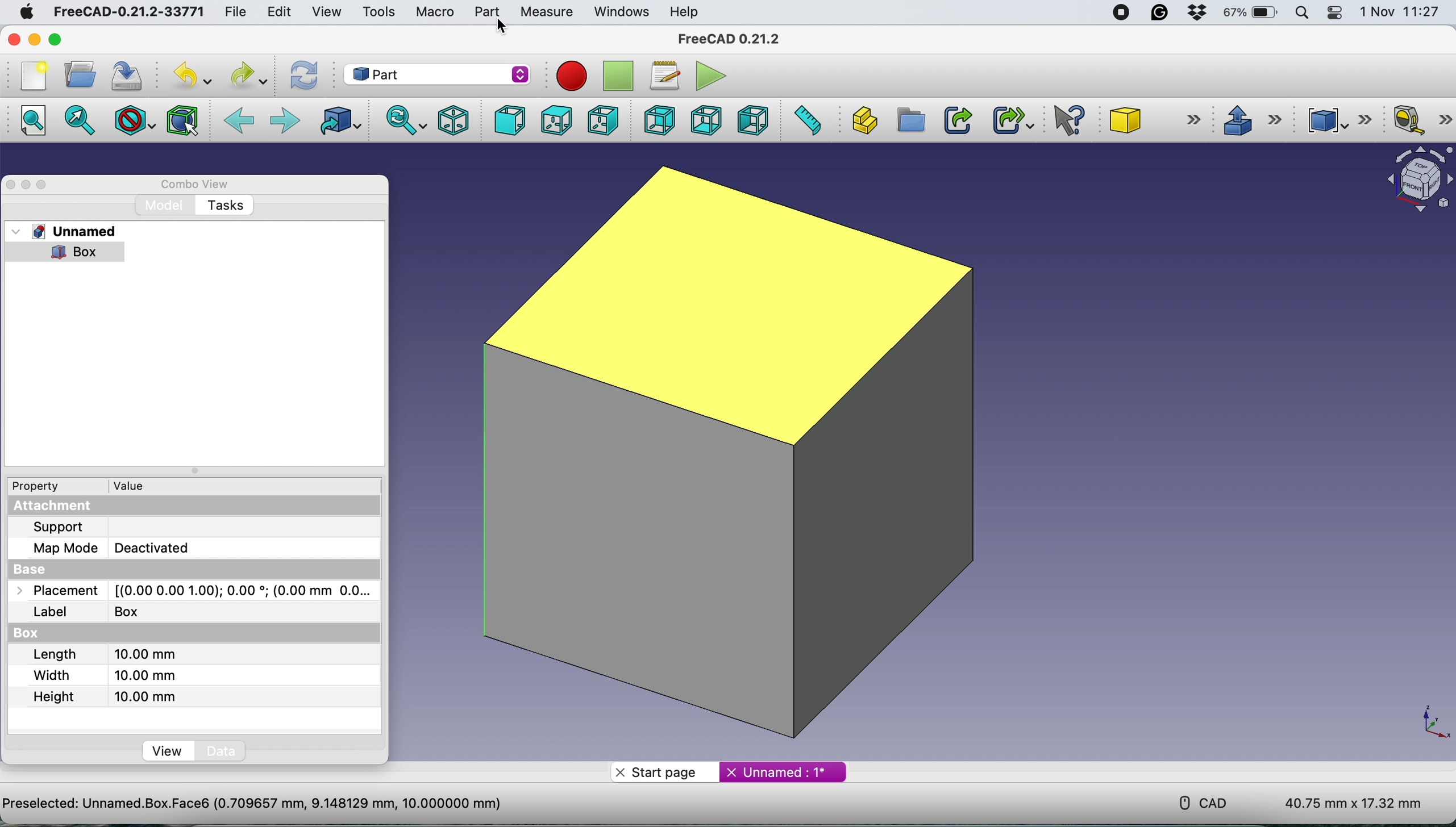 This screenshot has height=827, width=1456. I want to click on base, so click(47, 567).